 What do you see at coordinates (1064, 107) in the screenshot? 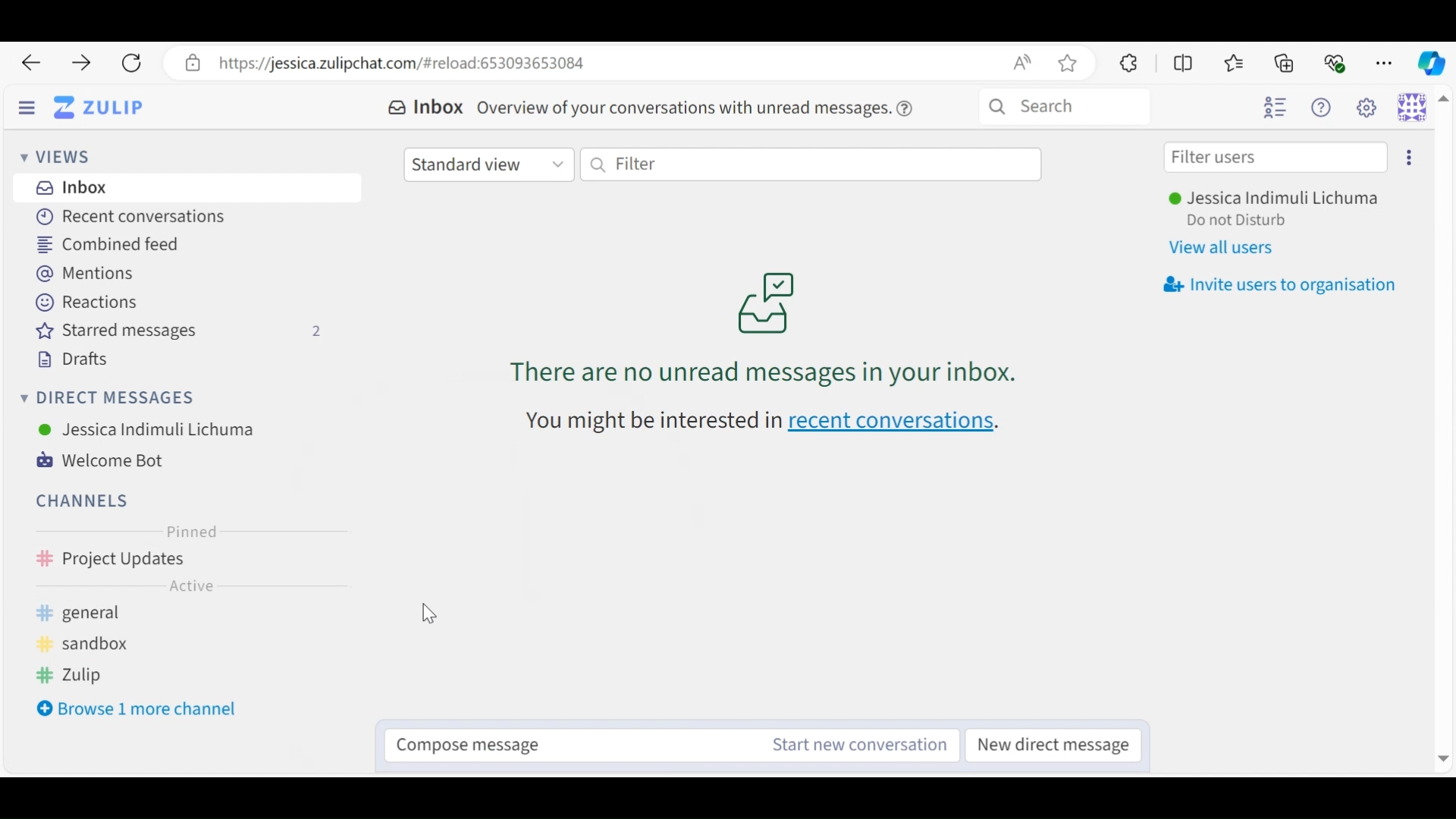
I see `Search` at bounding box center [1064, 107].